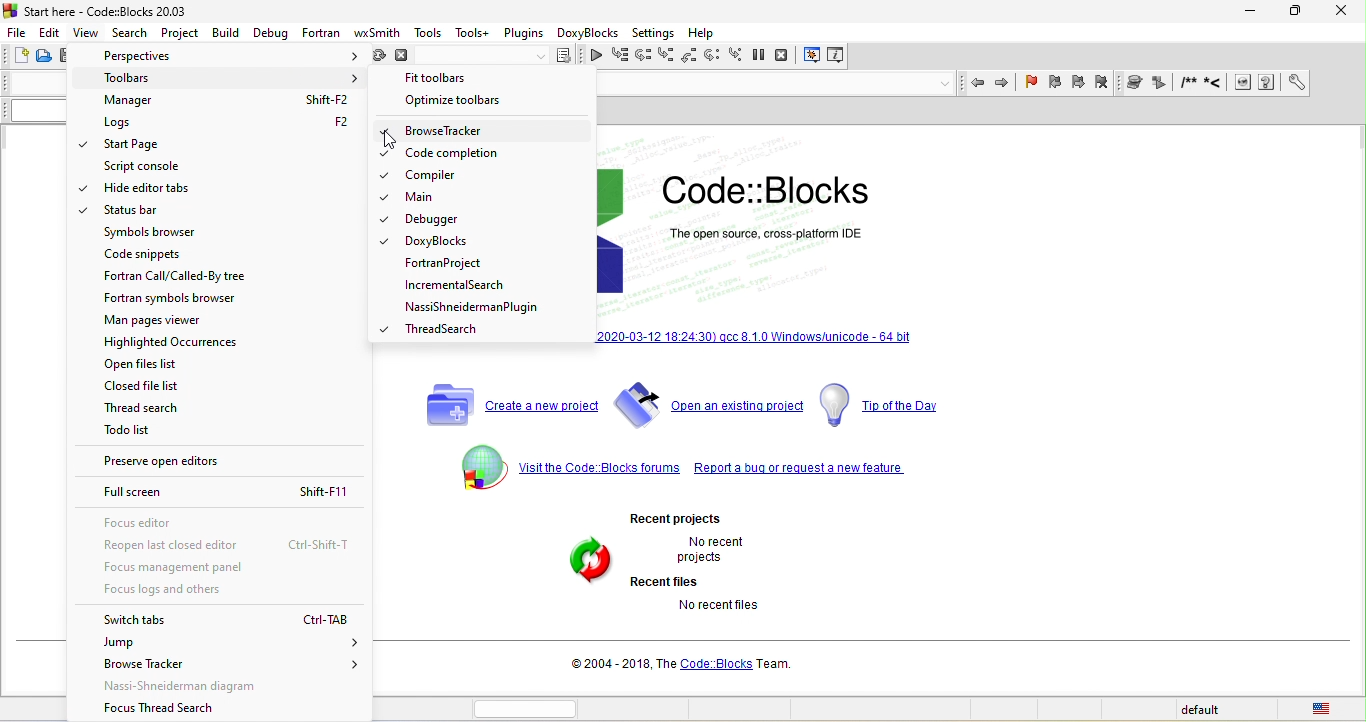  I want to click on 2004-2018 the code blocks team, so click(677, 667).